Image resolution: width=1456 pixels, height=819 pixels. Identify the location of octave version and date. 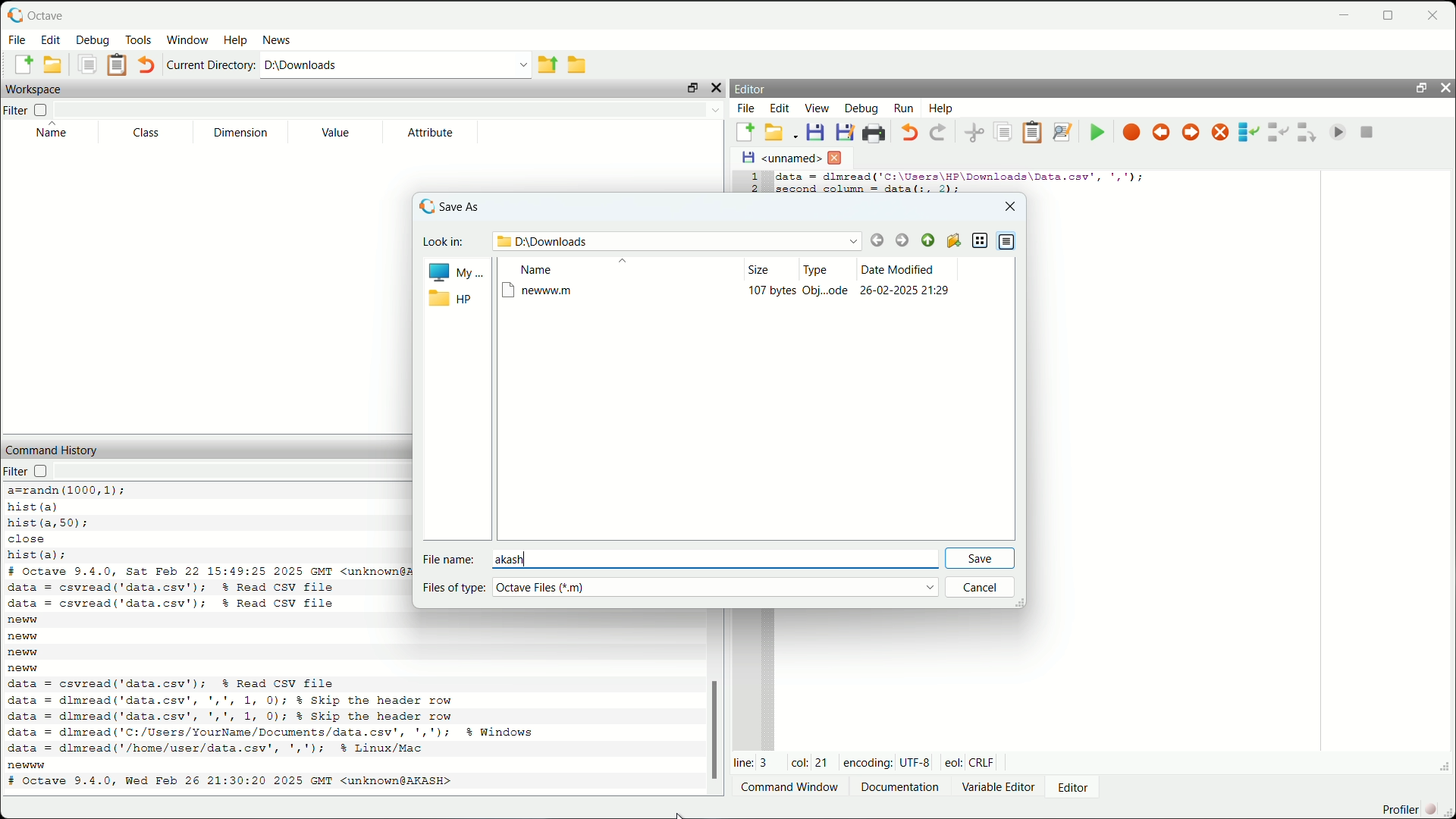
(268, 783).